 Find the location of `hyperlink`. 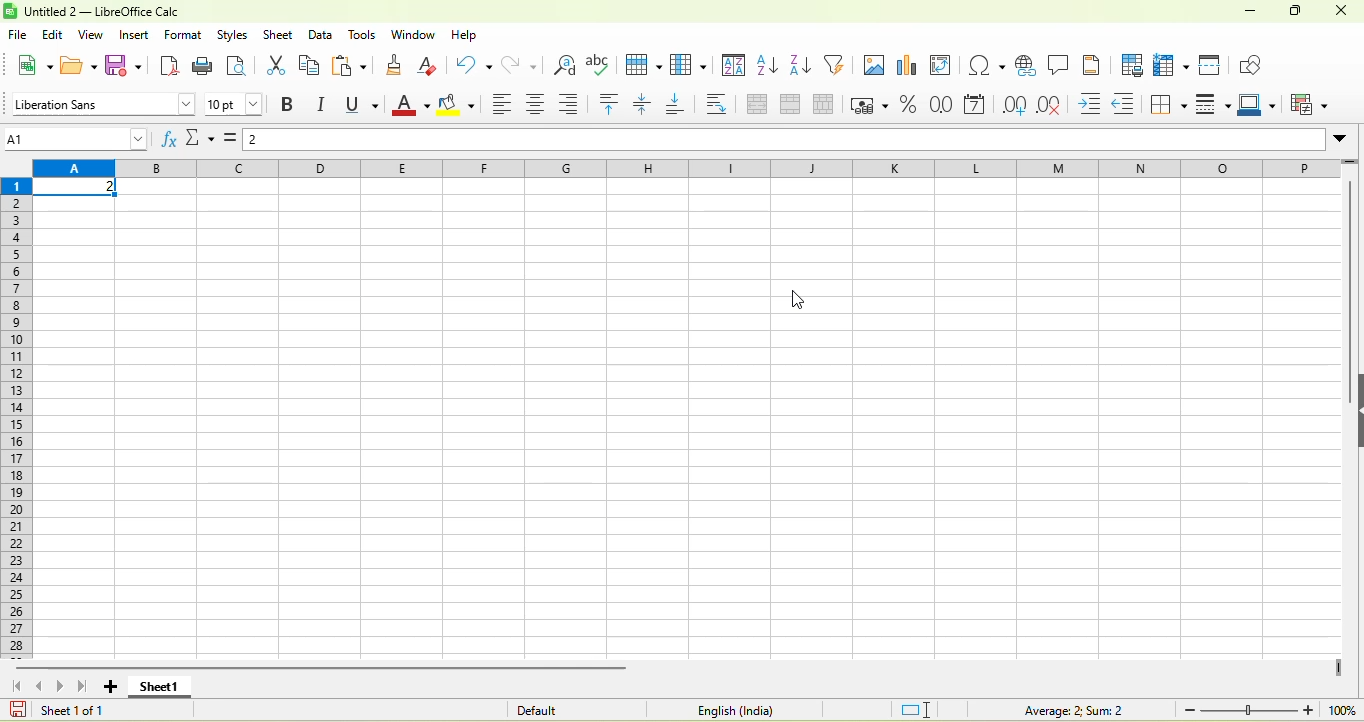

hyperlink is located at coordinates (1025, 65).